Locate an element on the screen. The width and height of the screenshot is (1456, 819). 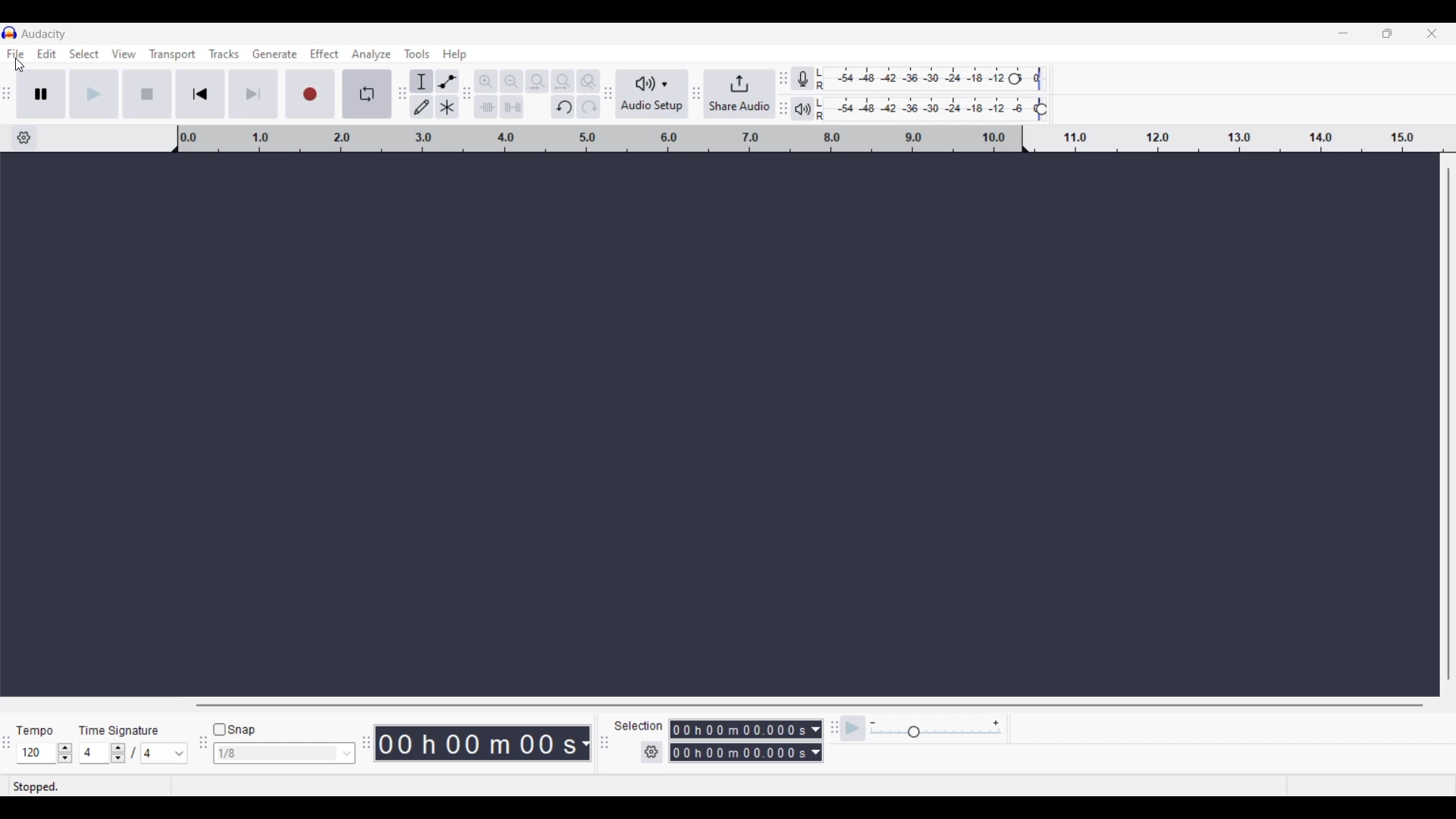
edit tool bar is located at coordinates (469, 96).